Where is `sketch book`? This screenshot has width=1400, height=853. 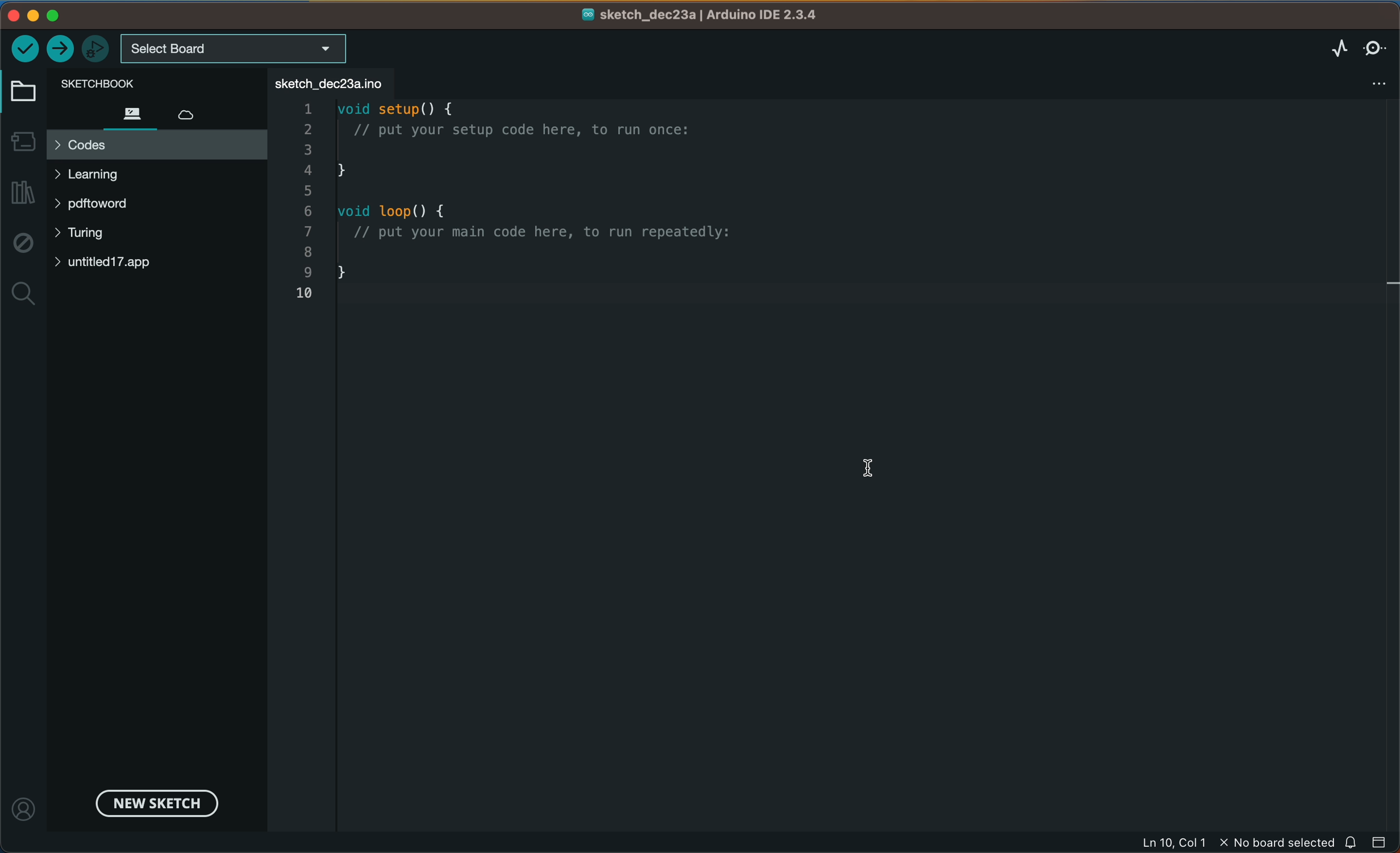 sketch book is located at coordinates (132, 83).